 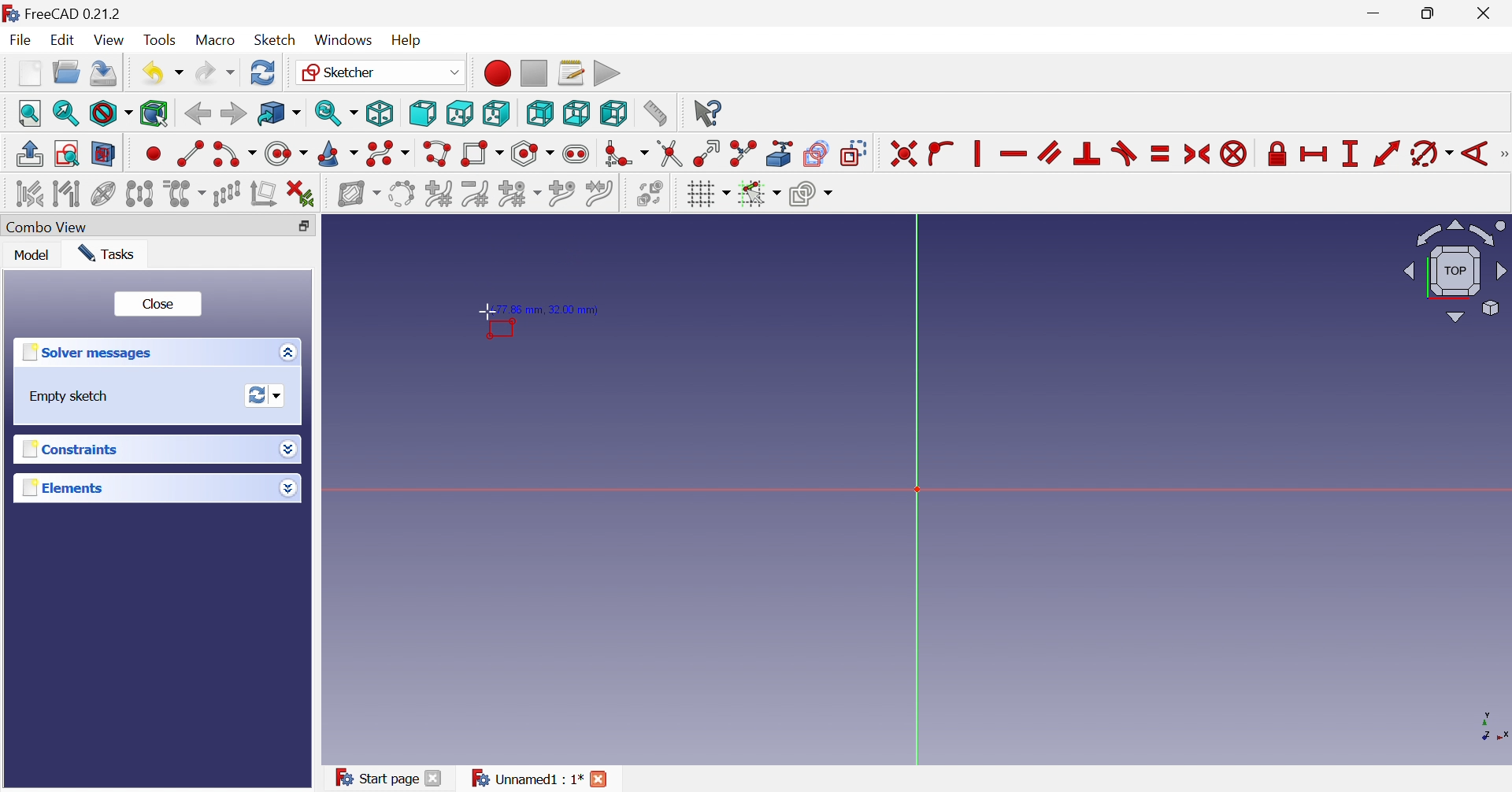 What do you see at coordinates (111, 43) in the screenshot?
I see `View` at bounding box center [111, 43].